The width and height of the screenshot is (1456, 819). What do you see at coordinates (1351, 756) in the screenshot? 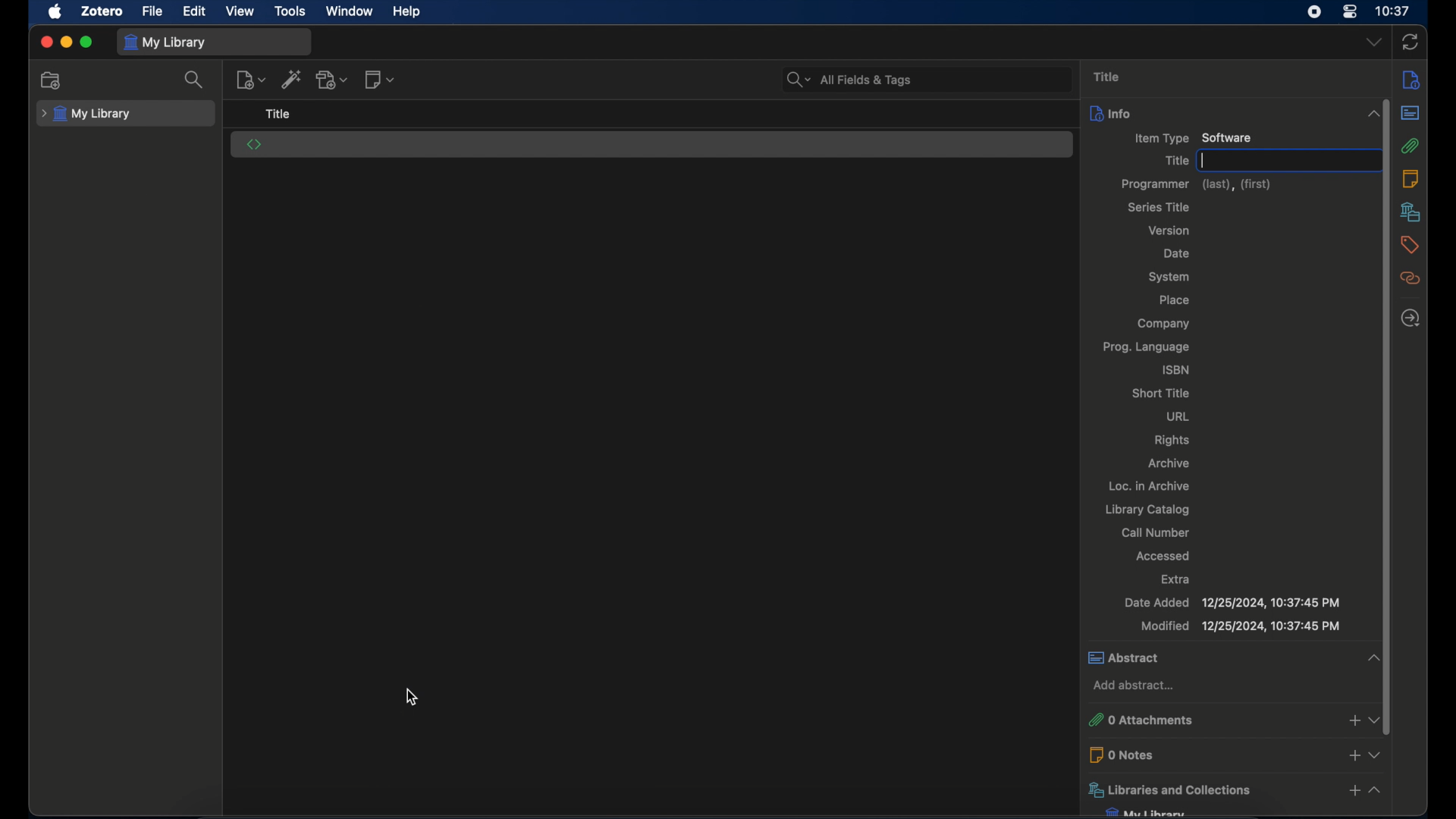
I see `add notes` at bounding box center [1351, 756].